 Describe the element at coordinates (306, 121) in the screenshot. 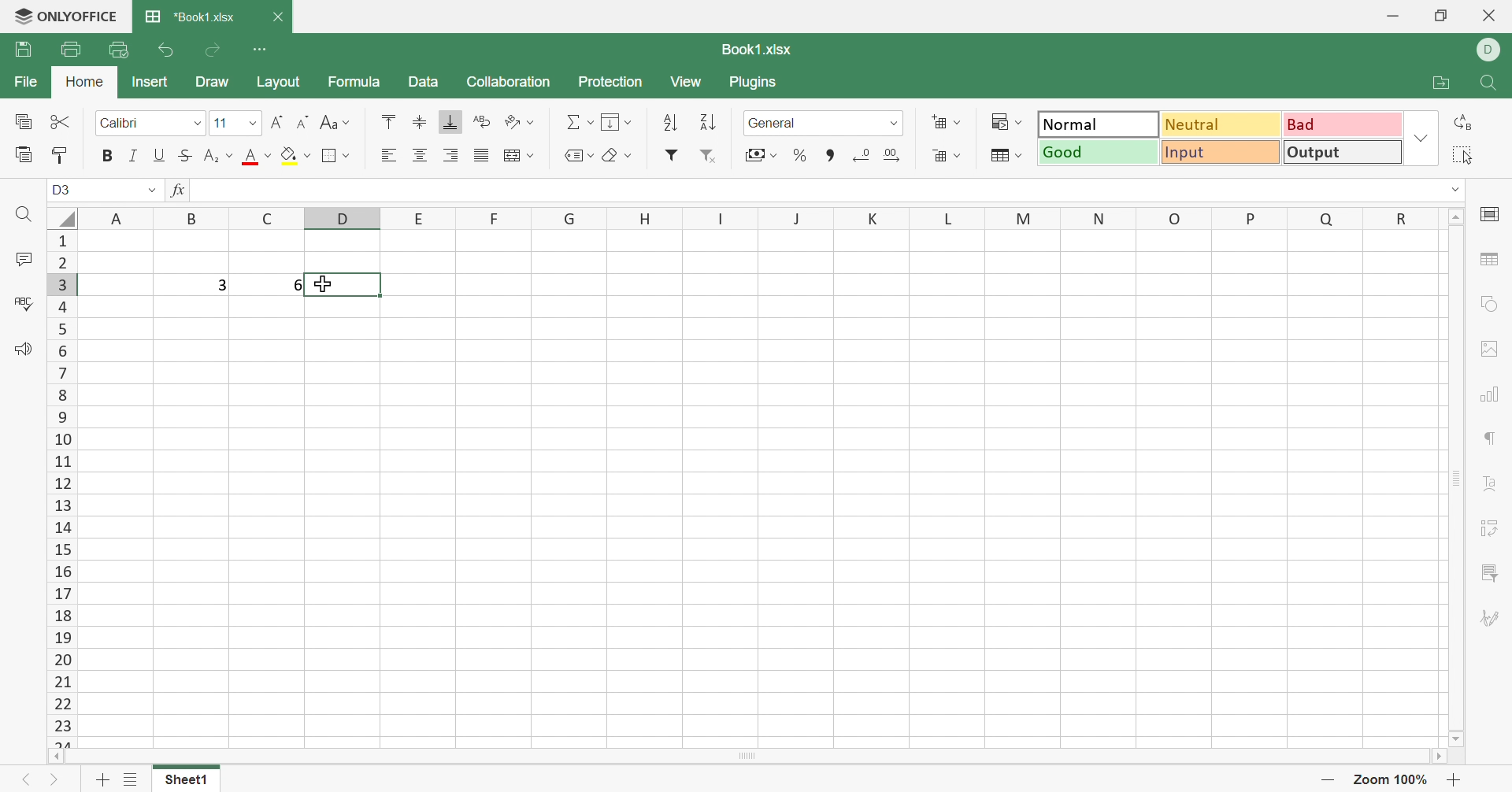

I see `Decrement font size` at that location.